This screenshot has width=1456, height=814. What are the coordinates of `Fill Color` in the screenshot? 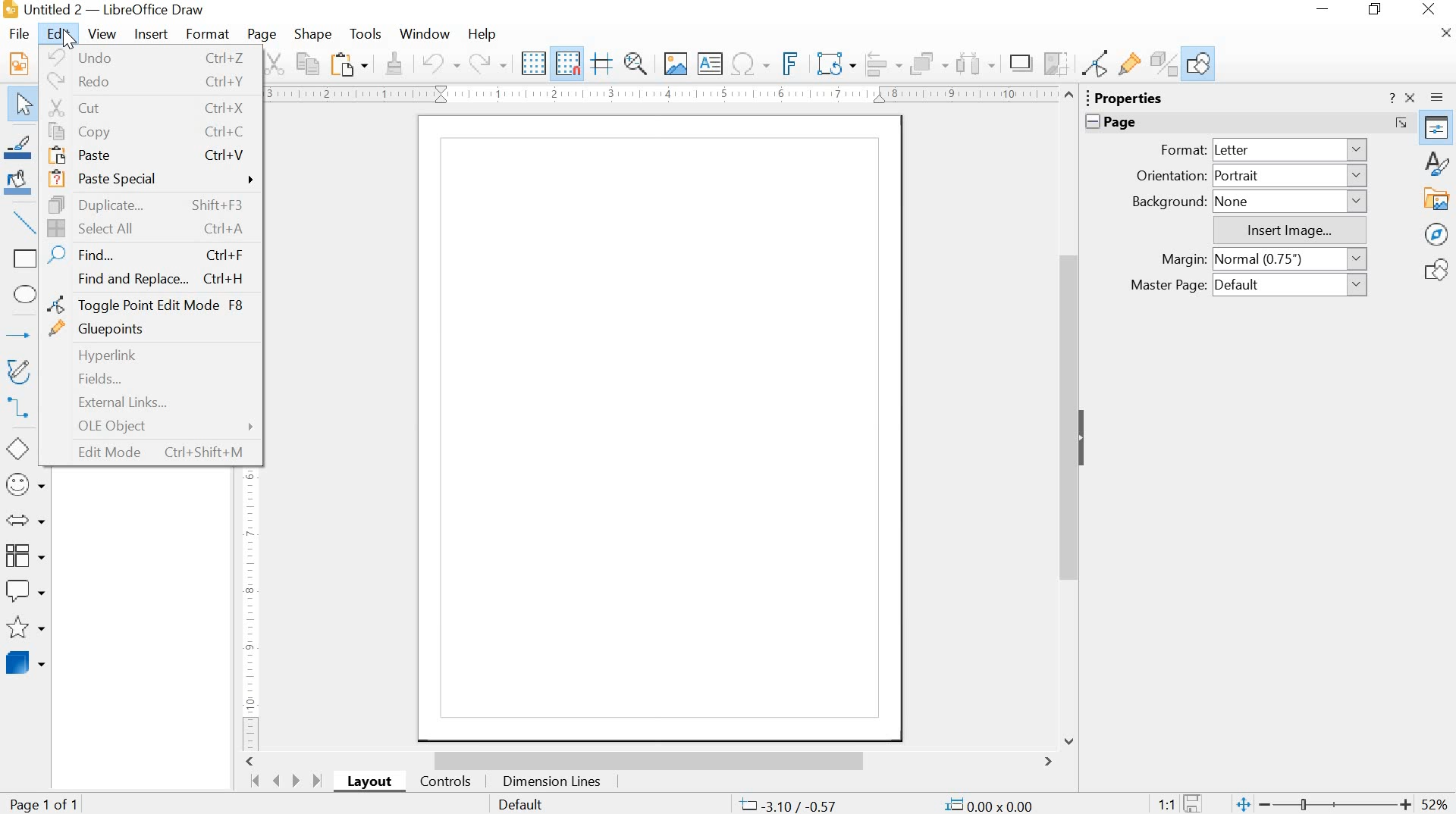 It's located at (24, 185).